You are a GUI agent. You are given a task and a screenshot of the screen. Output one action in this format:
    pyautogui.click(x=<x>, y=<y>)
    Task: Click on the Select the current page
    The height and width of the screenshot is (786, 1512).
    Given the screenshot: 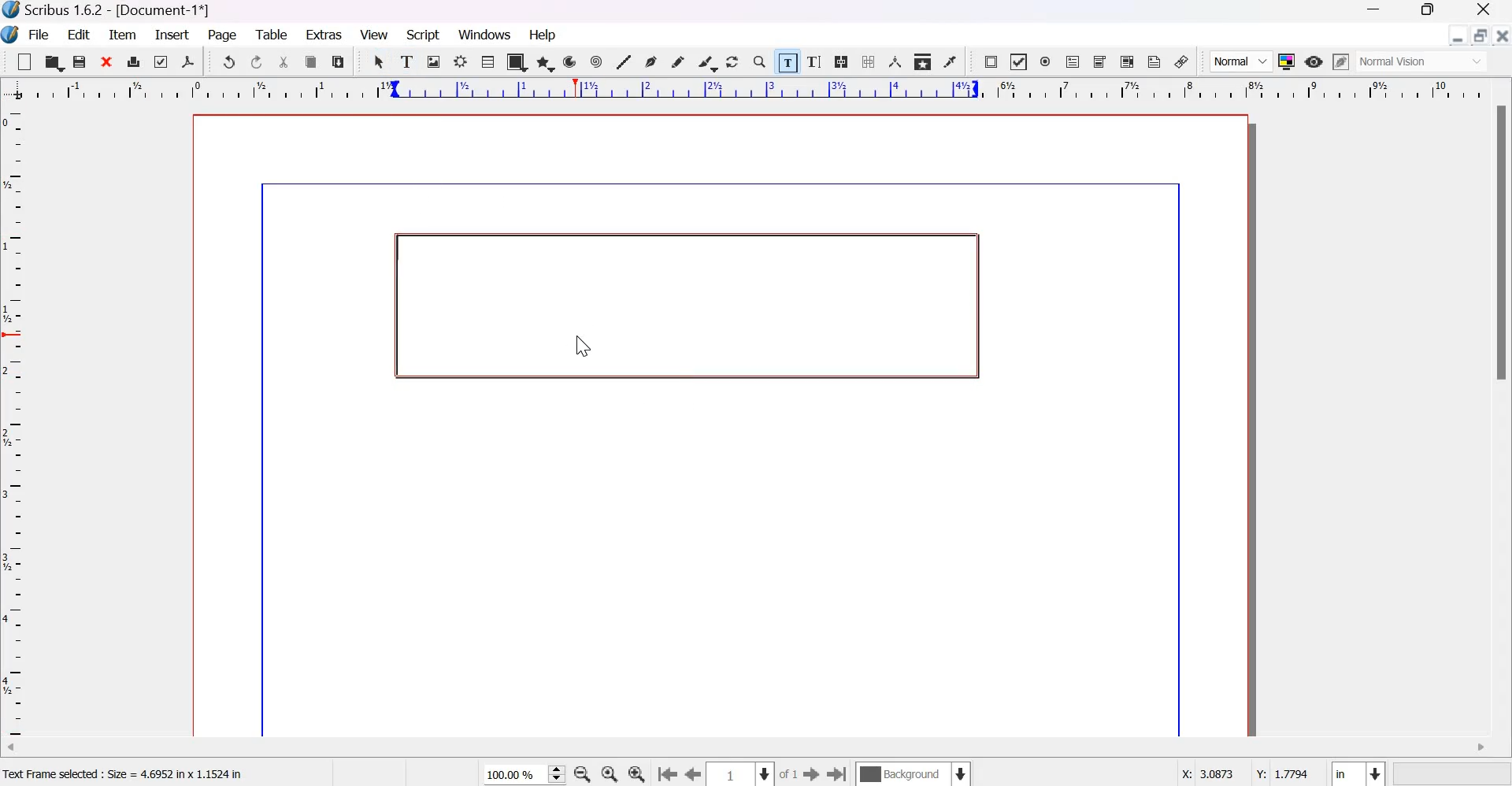 What is the action you would take?
    pyautogui.click(x=741, y=774)
    